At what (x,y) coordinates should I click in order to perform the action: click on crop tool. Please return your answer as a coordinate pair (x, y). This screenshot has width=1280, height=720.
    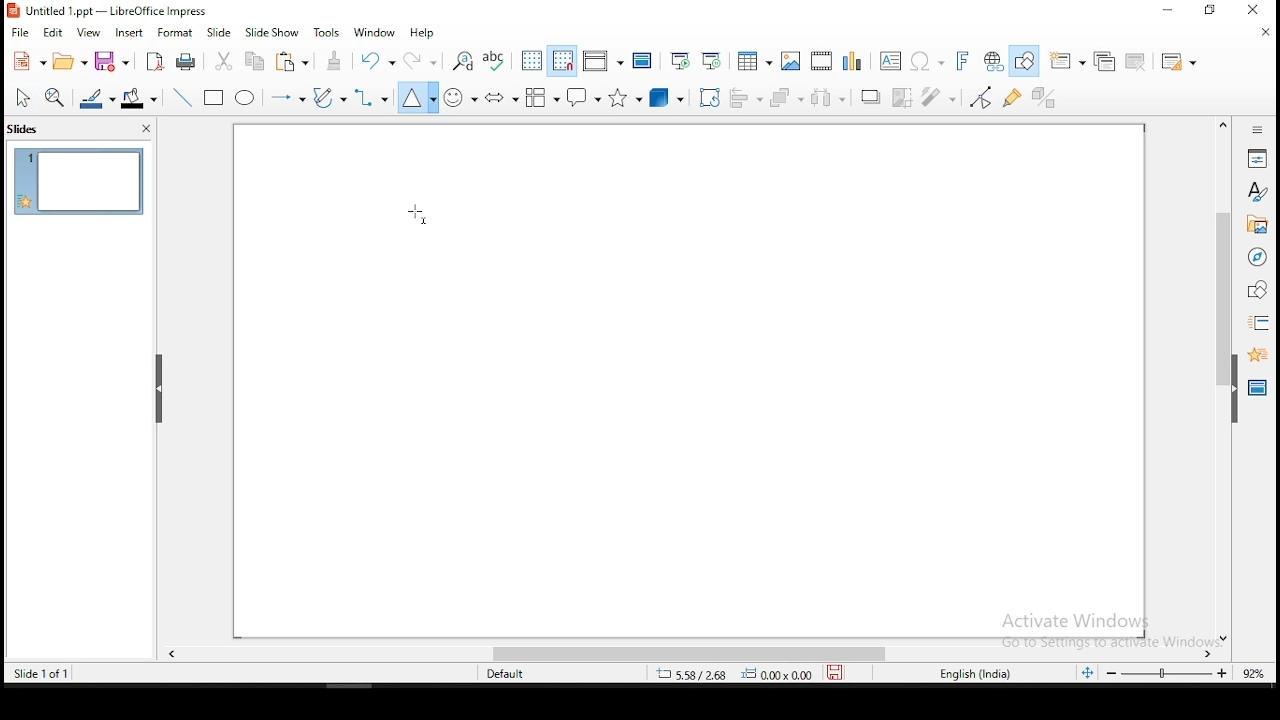
    Looking at the image, I should click on (707, 97).